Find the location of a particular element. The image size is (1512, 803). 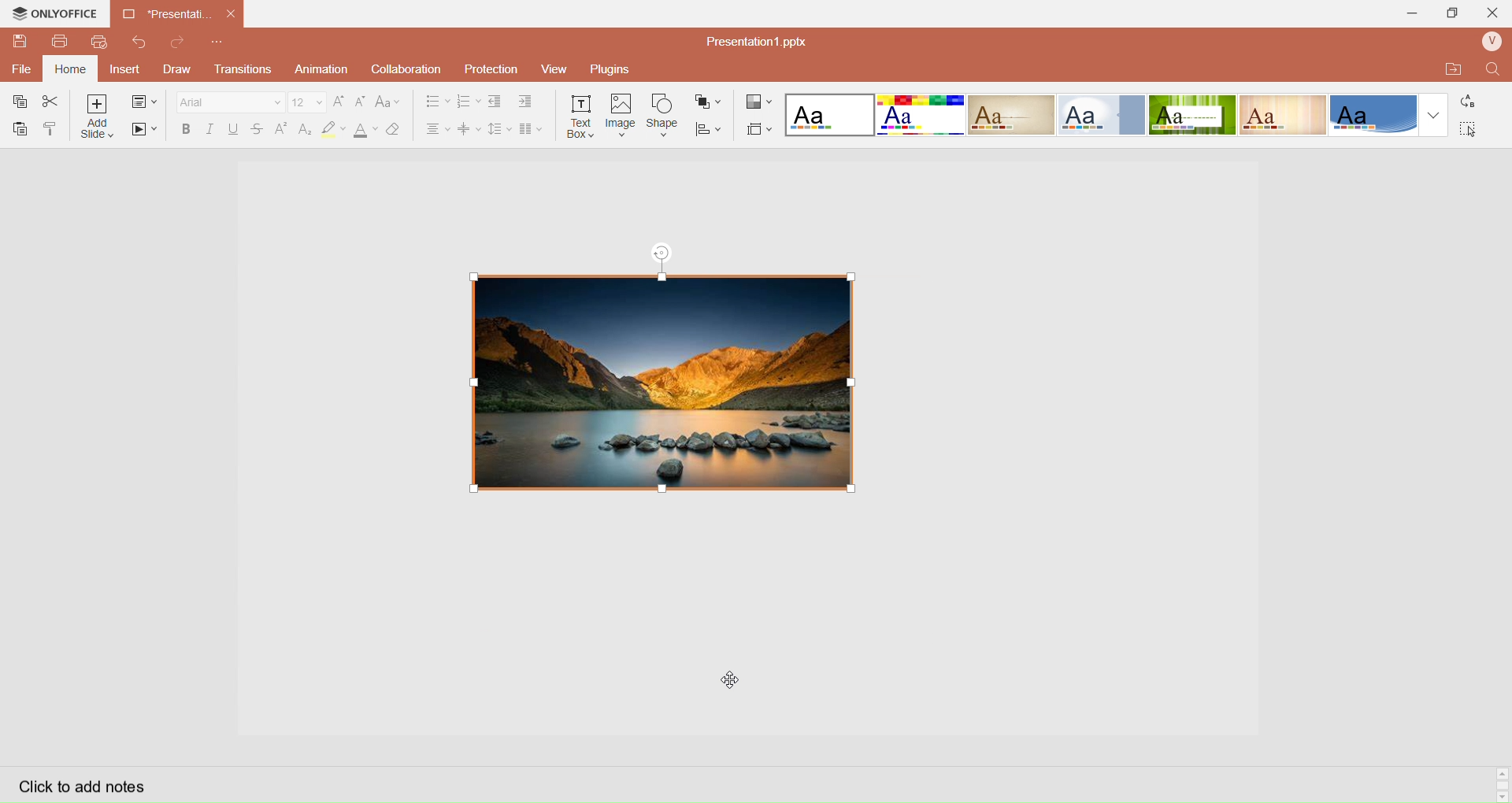

Transitions is located at coordinates (242, 69).